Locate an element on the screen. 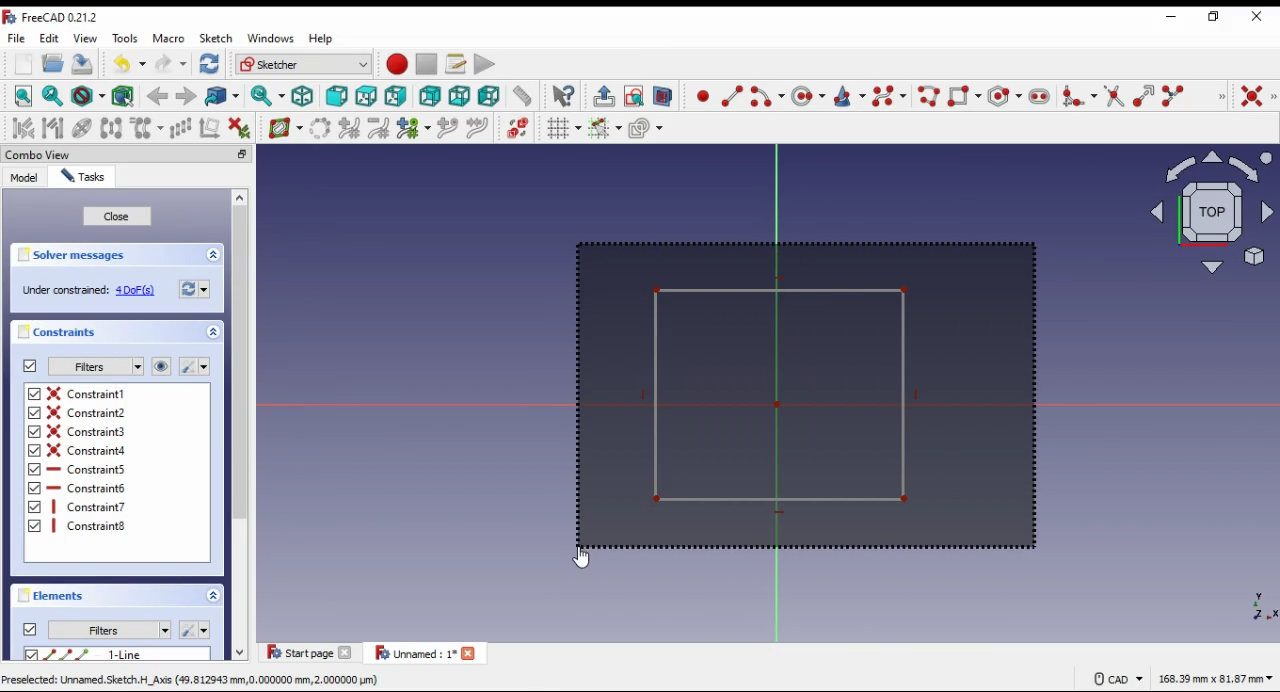  left is located at coordinates (490, 96).